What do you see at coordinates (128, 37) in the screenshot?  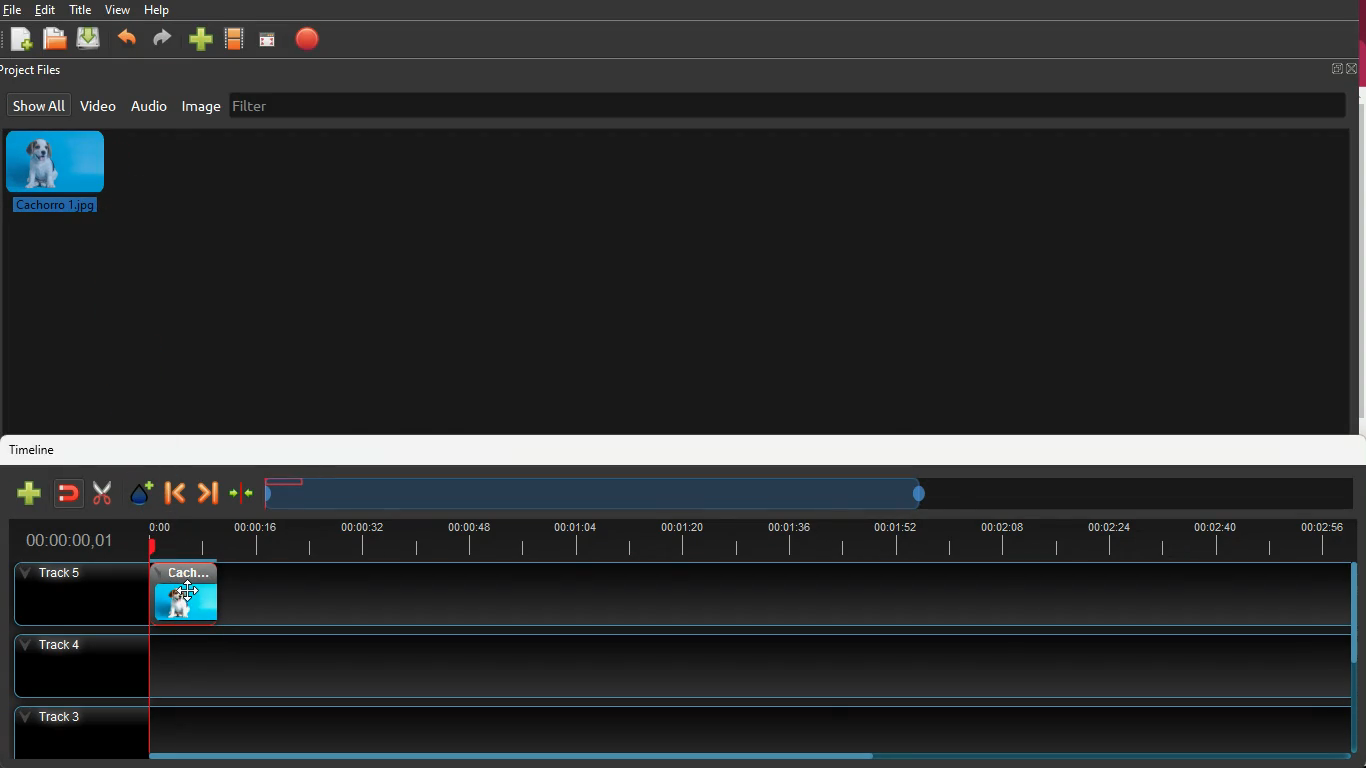 I see `backward` at bounding box center [128, 37].